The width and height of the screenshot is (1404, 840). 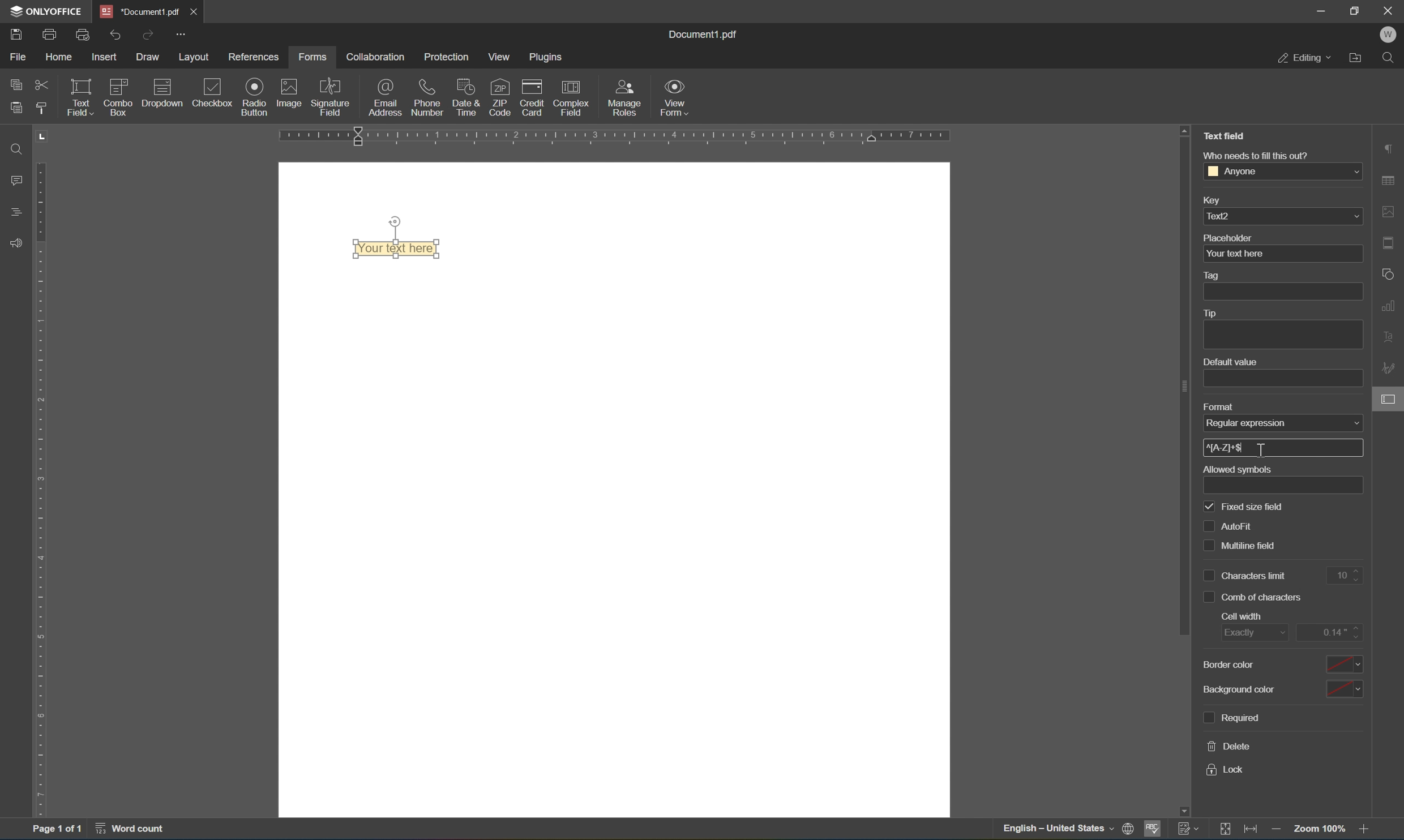 I want to click on open file location, so click(x=1358, y=59).